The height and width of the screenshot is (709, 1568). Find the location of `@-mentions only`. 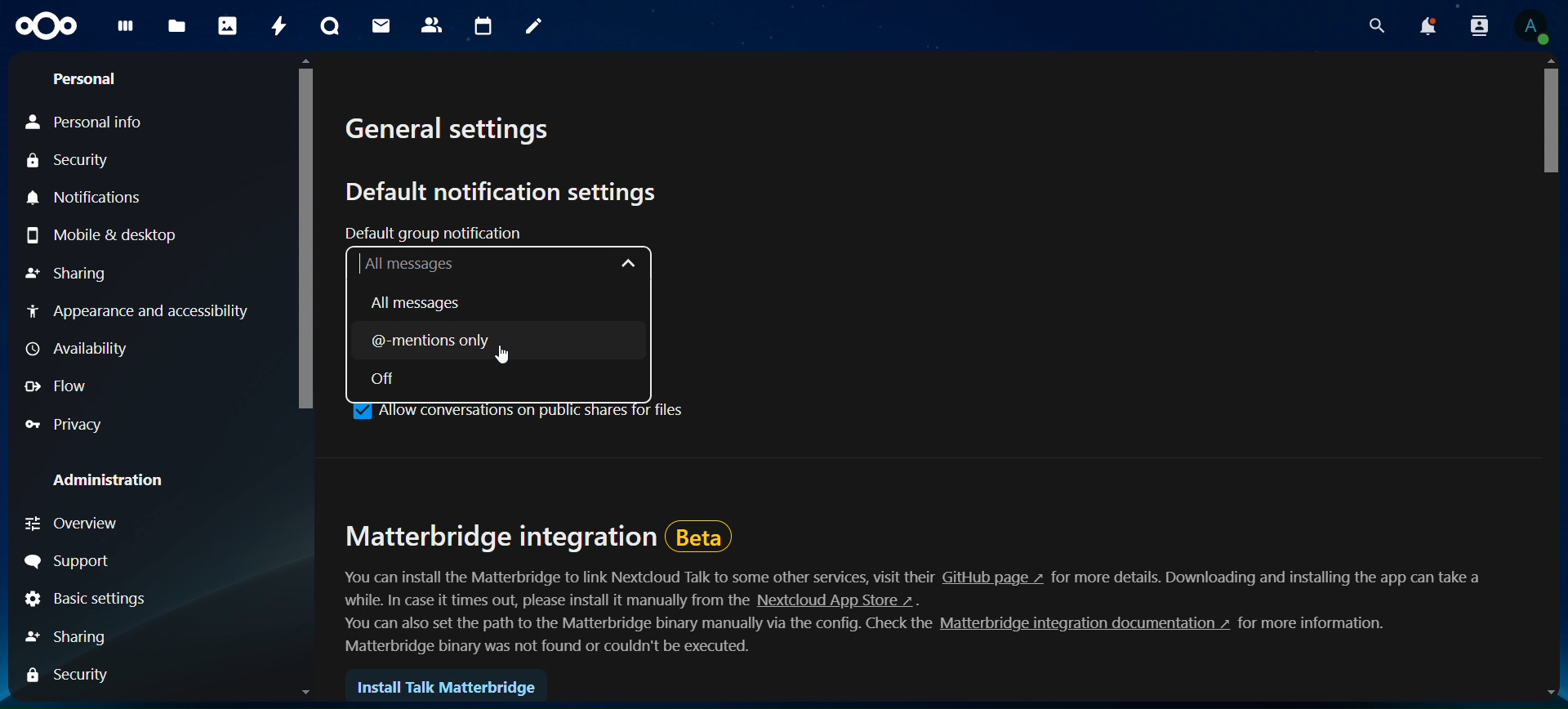

@-mentions only is located at coordinates (472, 341).